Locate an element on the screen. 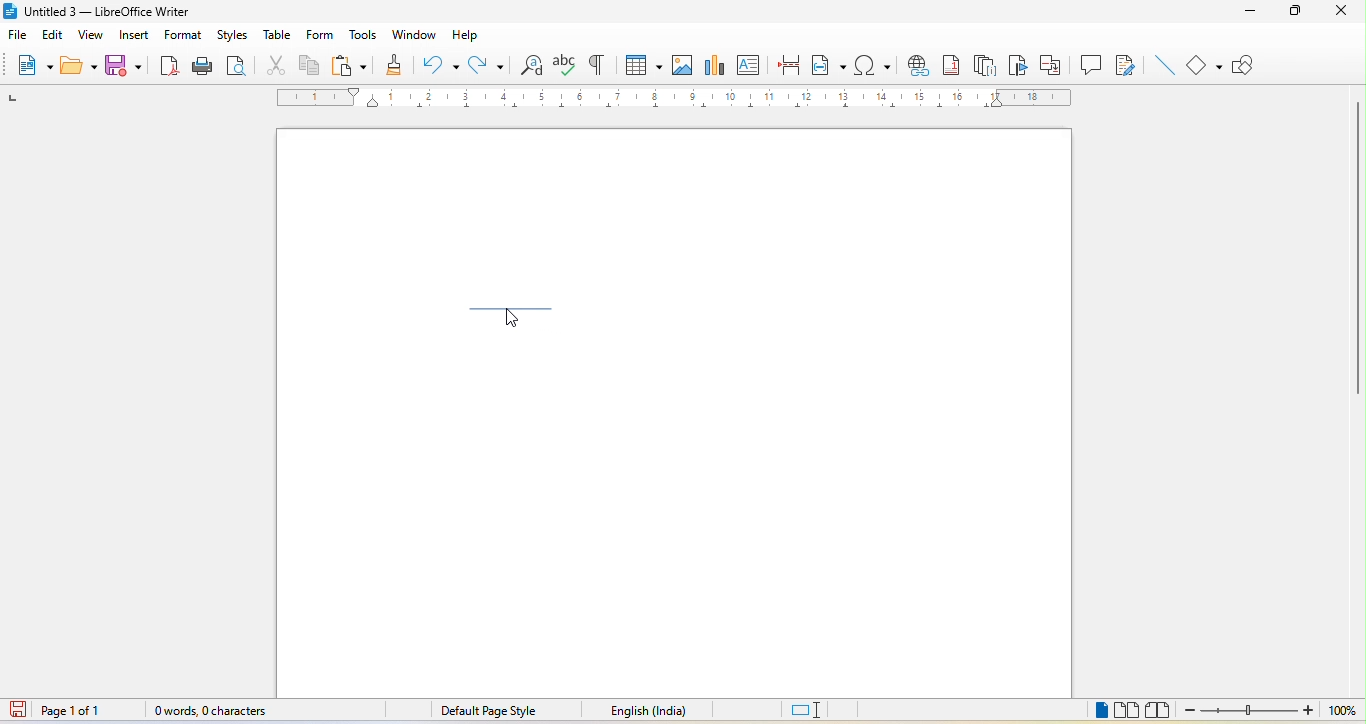 This screenshot has height=724, width=1366. basic shape is located at coordinates (1204, 63).